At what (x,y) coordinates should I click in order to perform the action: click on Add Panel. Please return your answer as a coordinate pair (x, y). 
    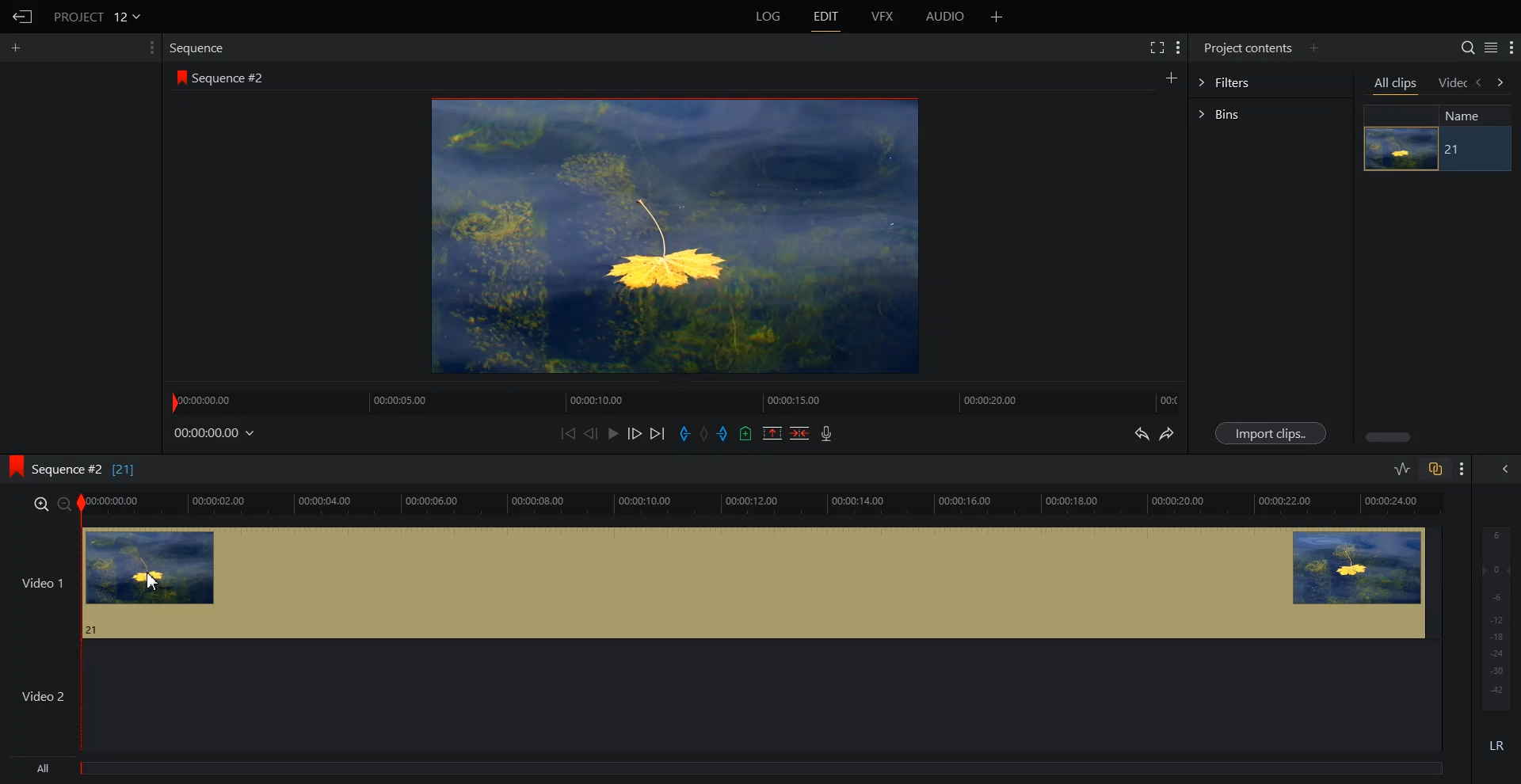
    Looking at the image, I should click on (1314, 47).